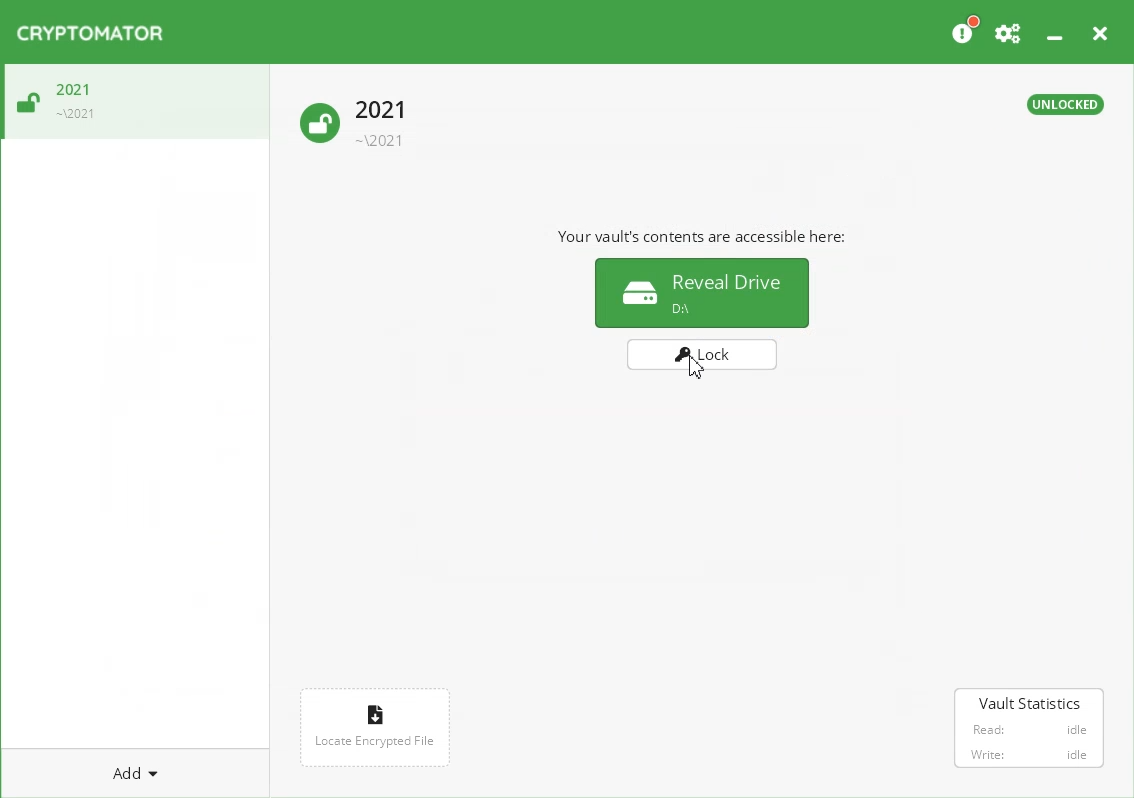 Image resolution: width=1134 pixels, height=798 pixels. I want to click on Please Consider donating, so click(964, 30).